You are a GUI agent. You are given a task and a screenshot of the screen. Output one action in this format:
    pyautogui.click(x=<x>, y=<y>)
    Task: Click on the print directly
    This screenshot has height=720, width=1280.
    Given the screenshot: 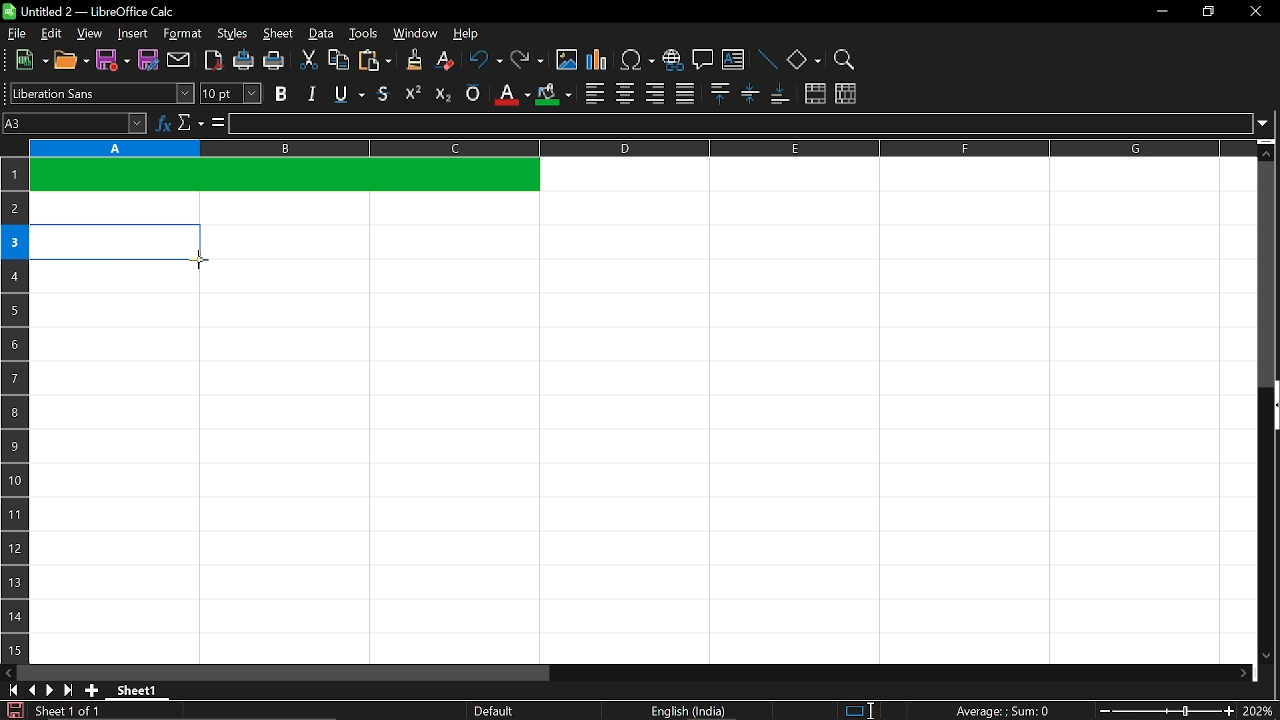 What is the action you would take?
    pyautogui.click(x=242, y=61)
    